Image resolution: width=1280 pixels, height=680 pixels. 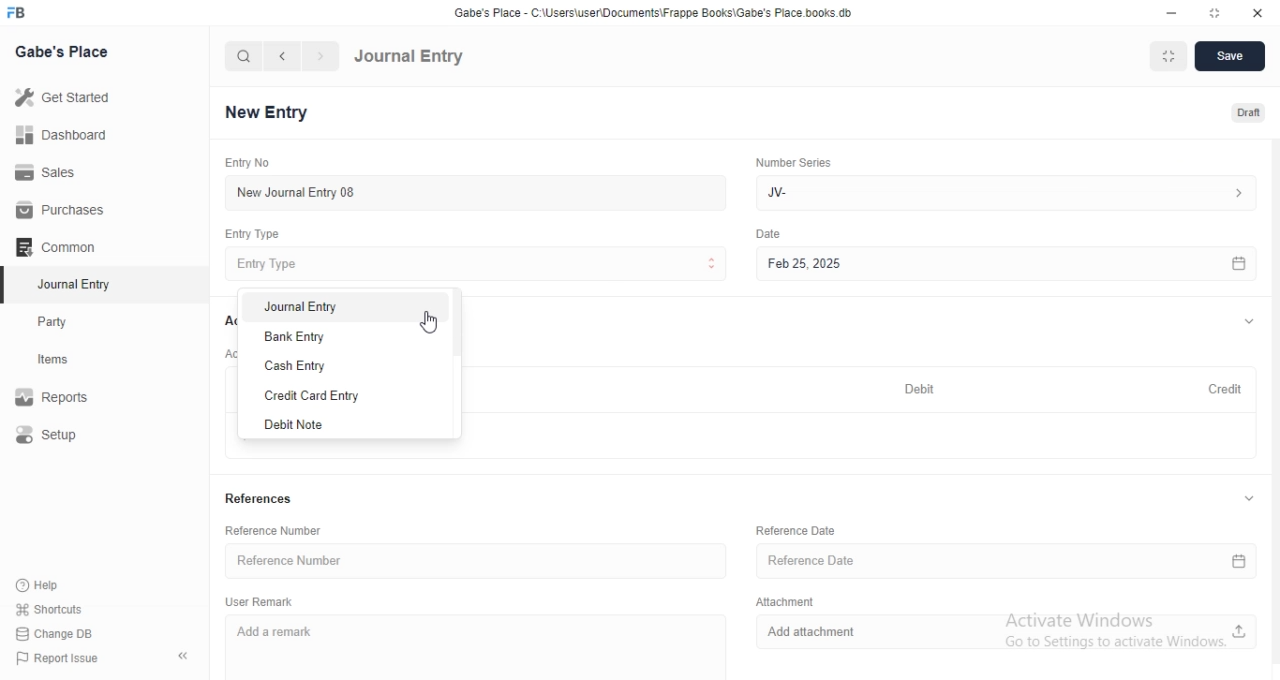 I want to click on Party, so click(x=72, y=322).